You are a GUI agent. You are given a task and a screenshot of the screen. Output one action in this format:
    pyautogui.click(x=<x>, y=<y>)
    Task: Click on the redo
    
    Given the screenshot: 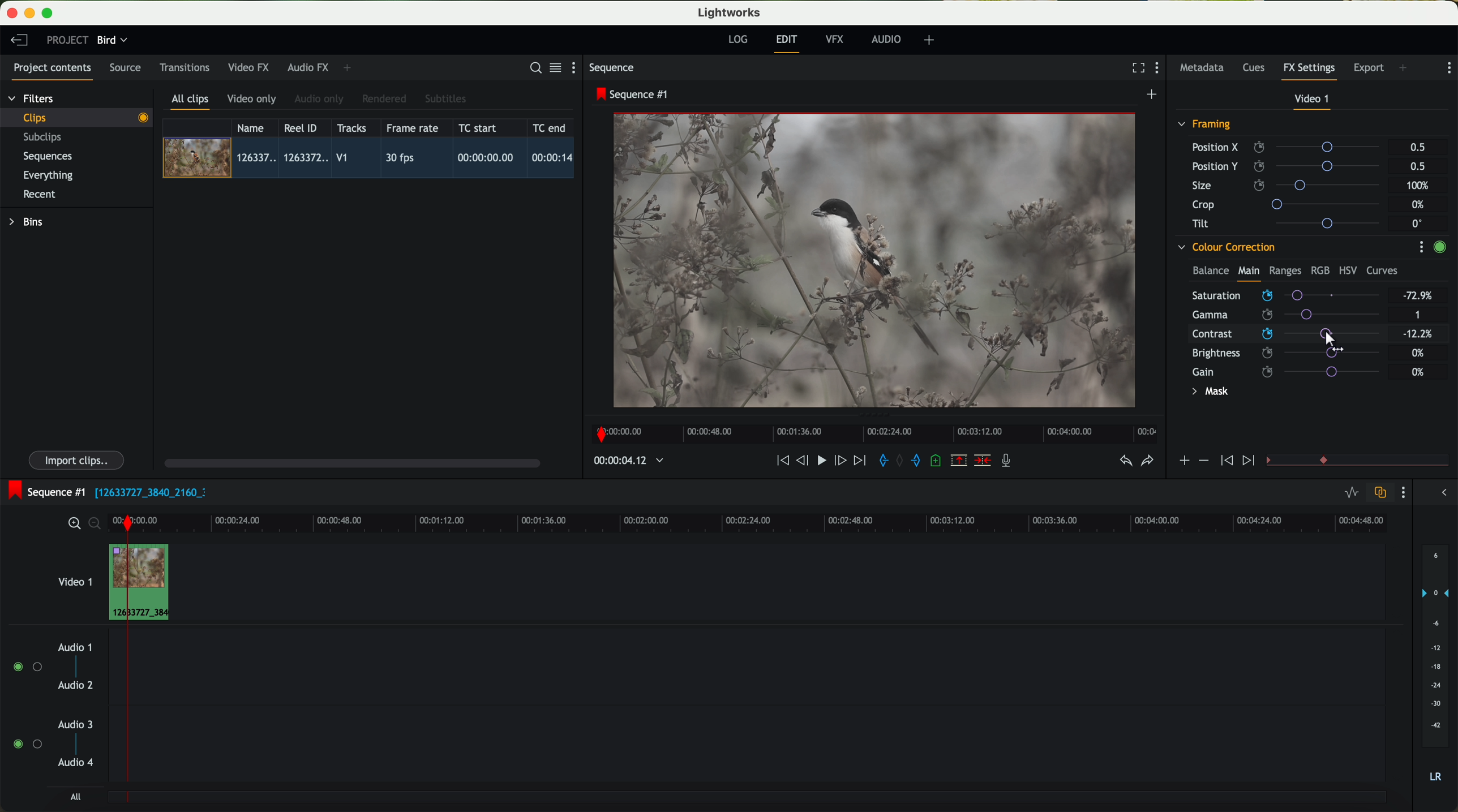 What is the action you would take?
    pyautogui.click(x=1147, y=462)
    